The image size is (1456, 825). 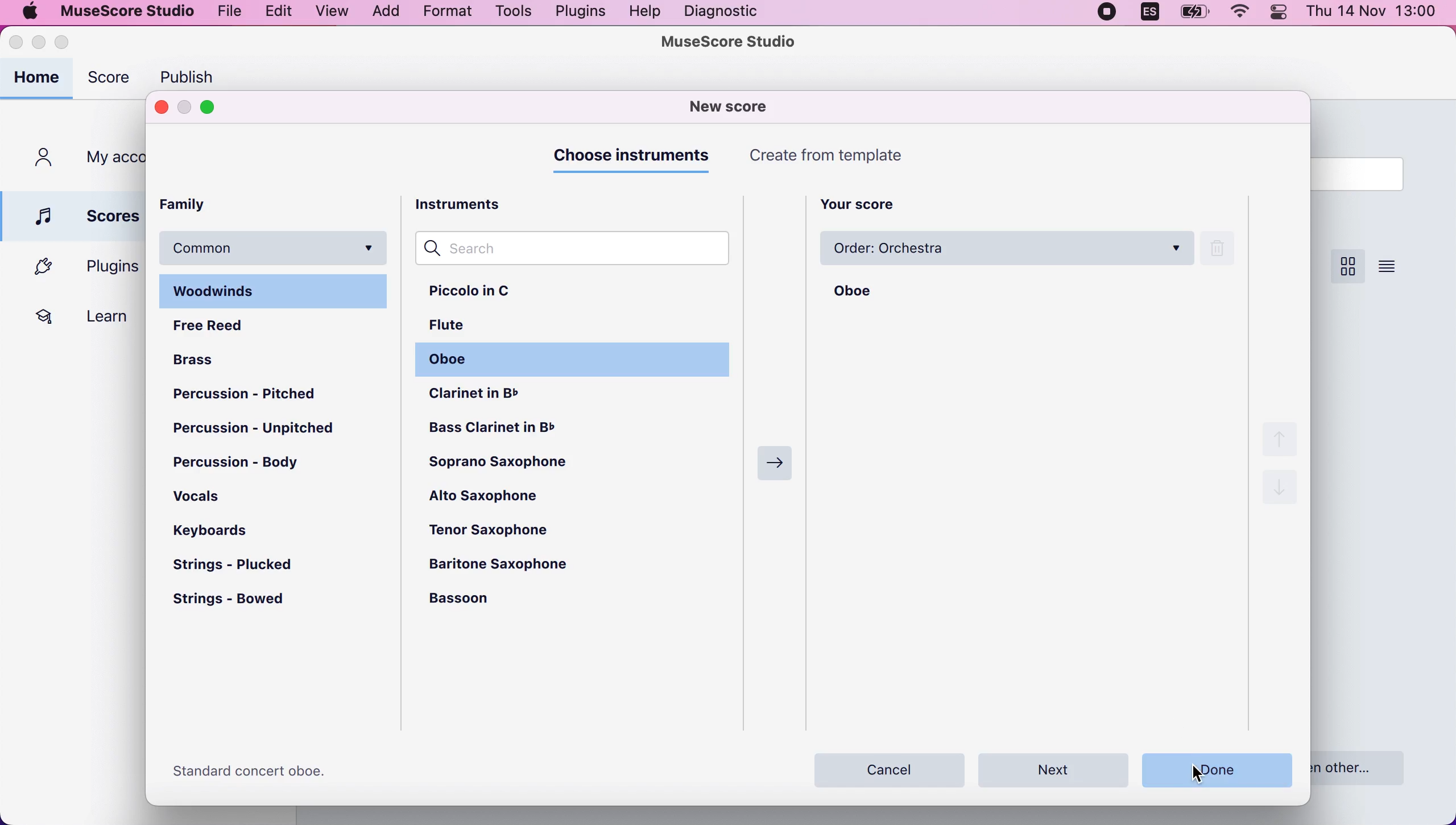 What do you see at coordinates (262, 431) in the screenshot?
I see `percussion-unpitched` at bounding box center [262, 431].